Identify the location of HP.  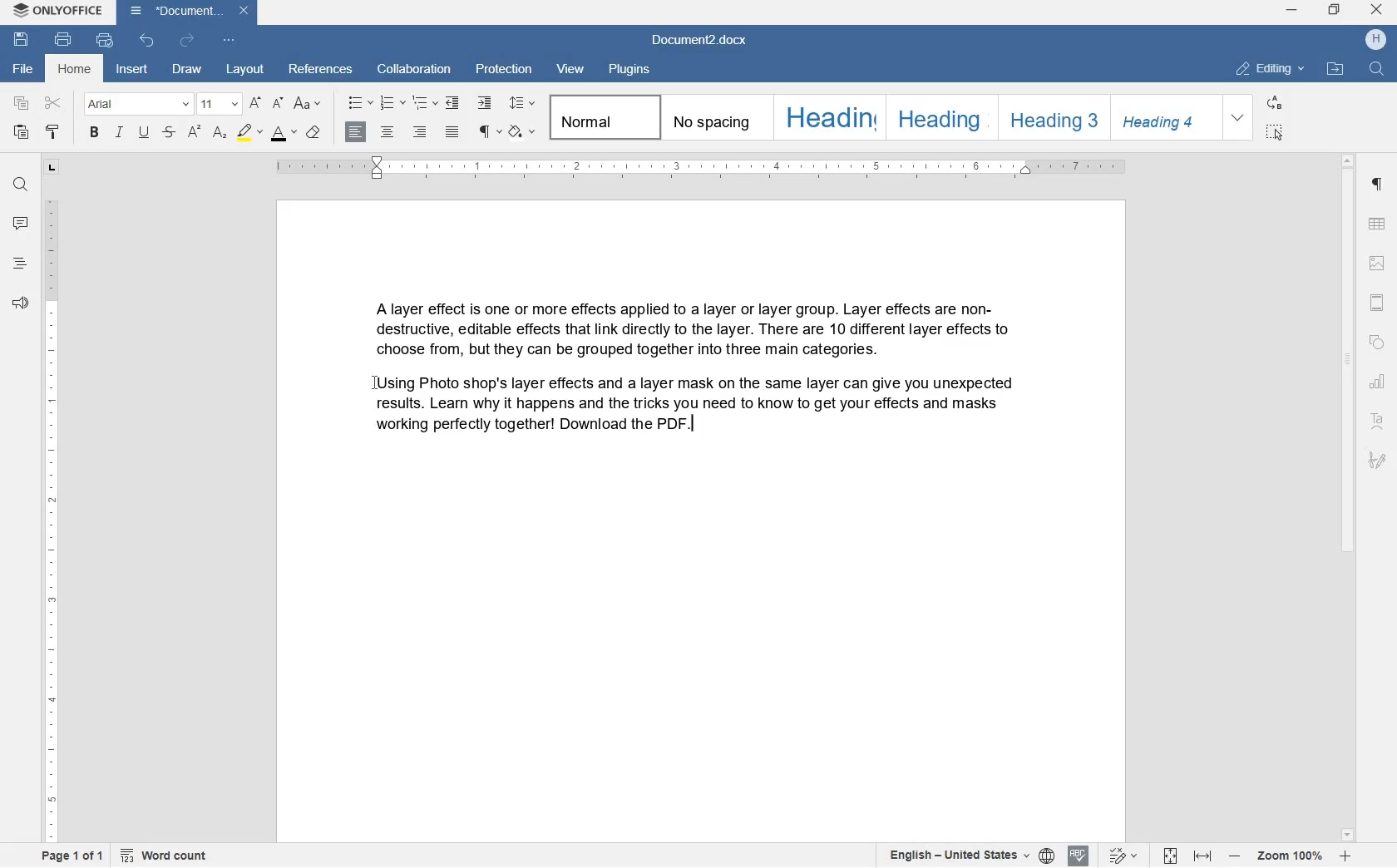
(1375, 42).